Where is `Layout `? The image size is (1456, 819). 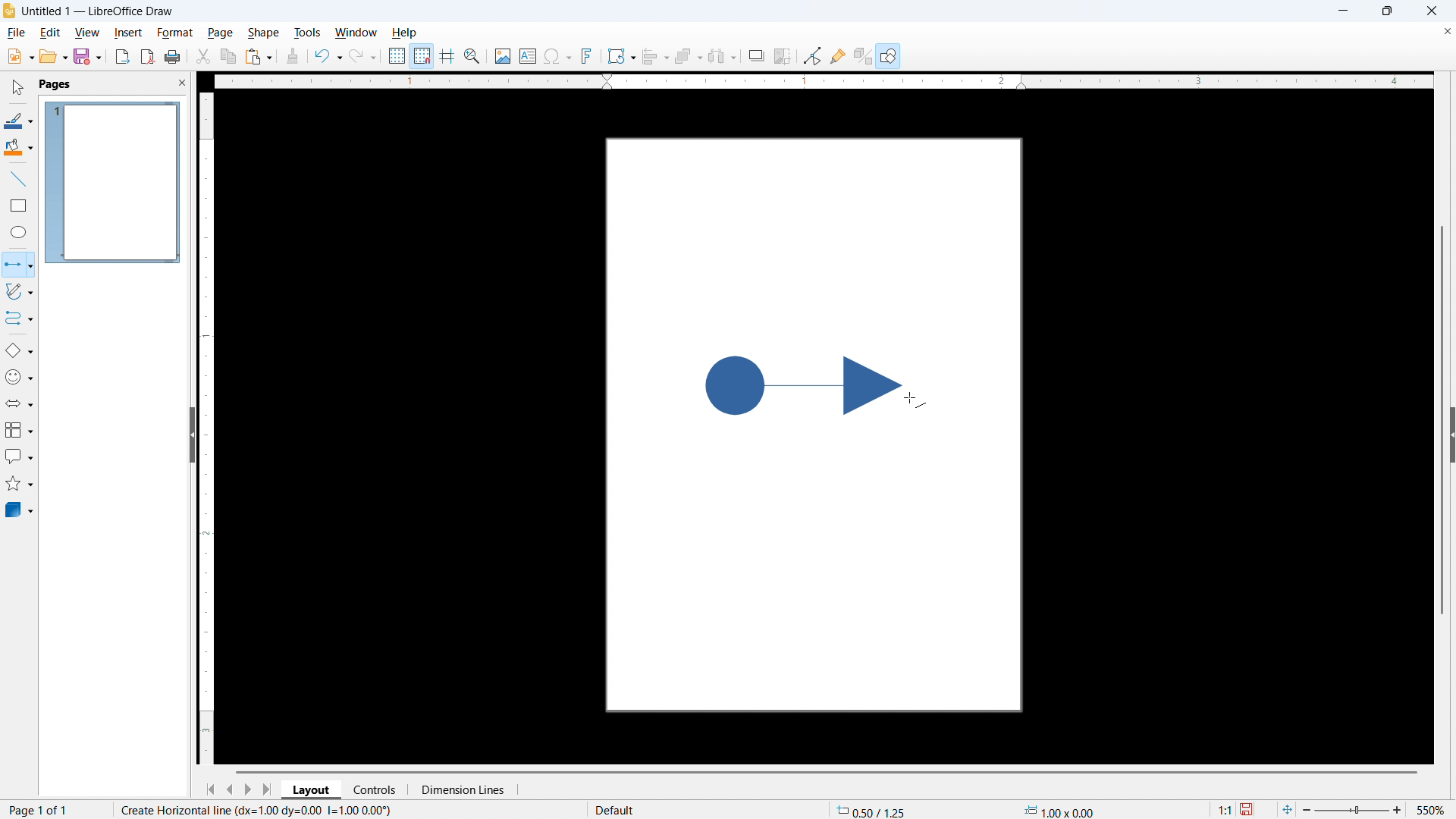 Layout  is located at coordinates (312, 789).